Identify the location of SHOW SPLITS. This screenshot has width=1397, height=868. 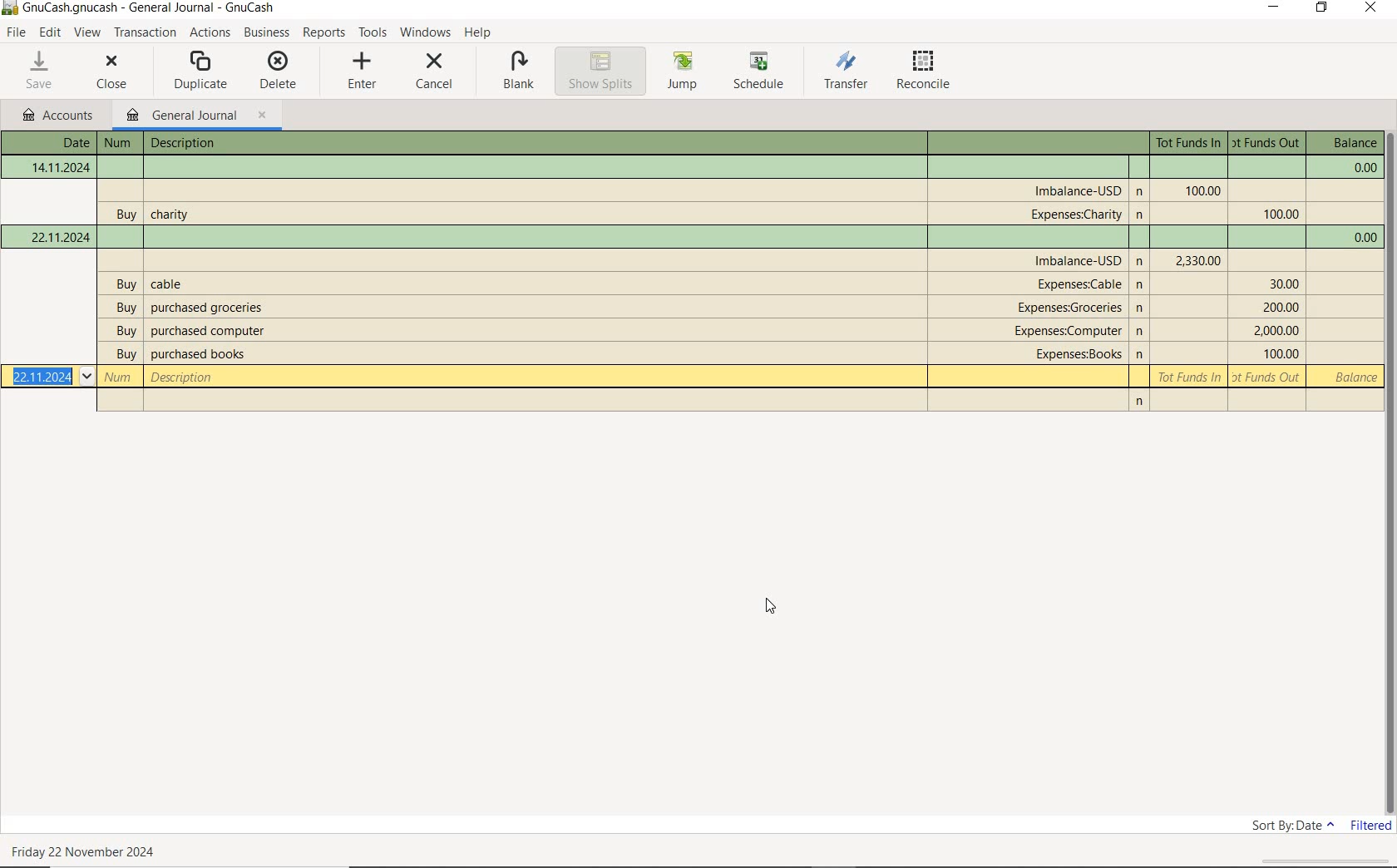
(601, 71).